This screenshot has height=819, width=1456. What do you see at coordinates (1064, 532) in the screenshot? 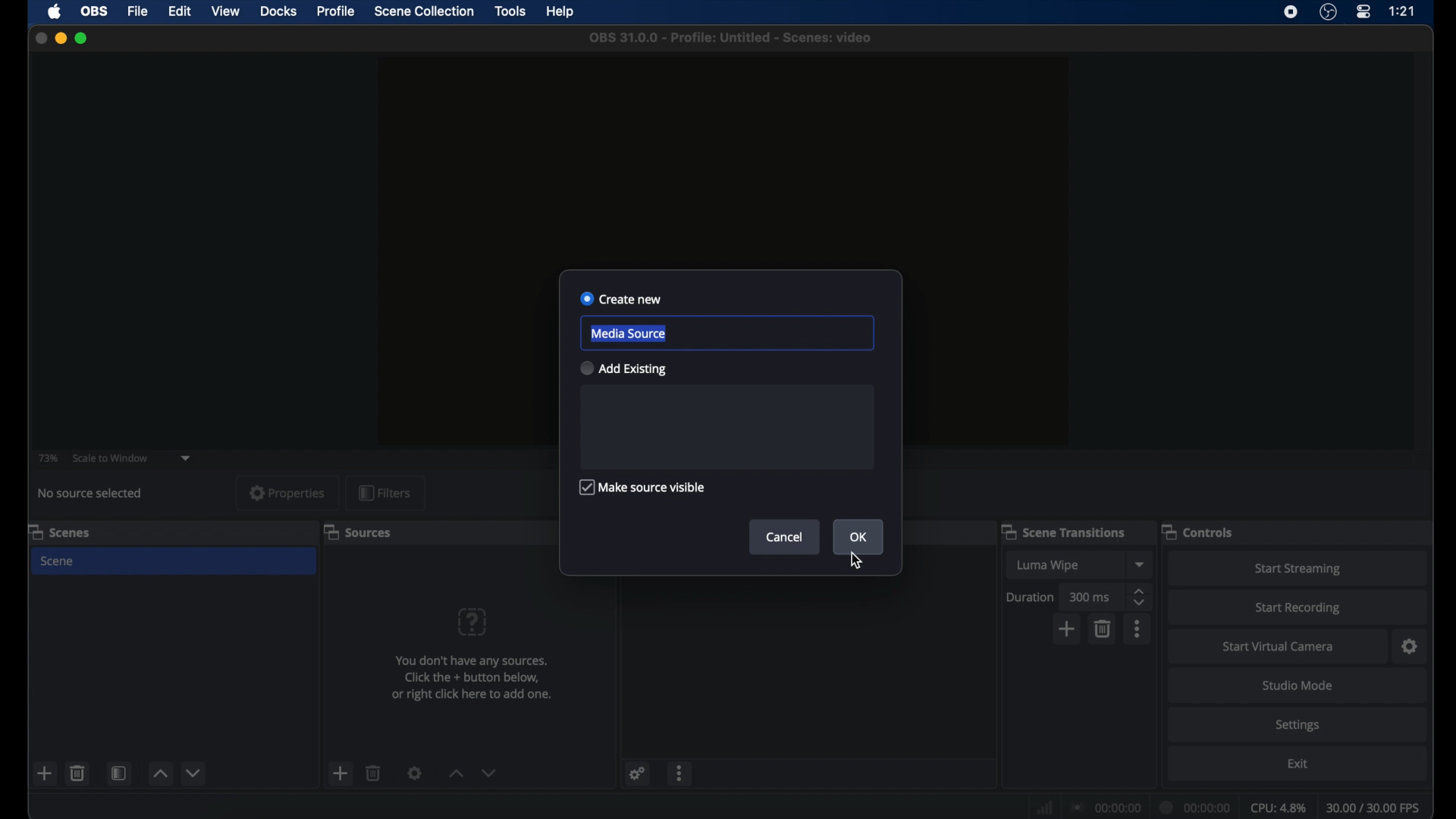
I see `scene transitions` at bounding box center [1064, 532].